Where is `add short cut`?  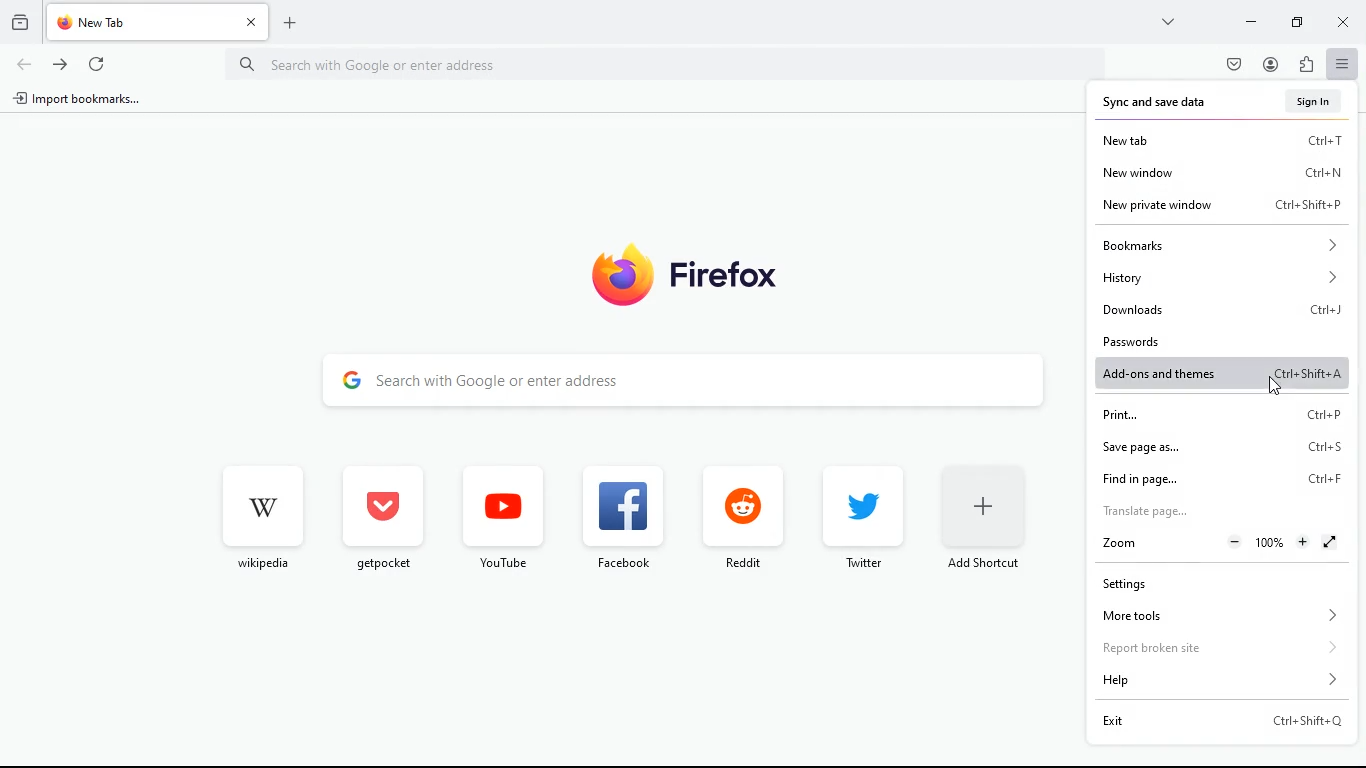
add short cut is located at coordinates (984, 523).